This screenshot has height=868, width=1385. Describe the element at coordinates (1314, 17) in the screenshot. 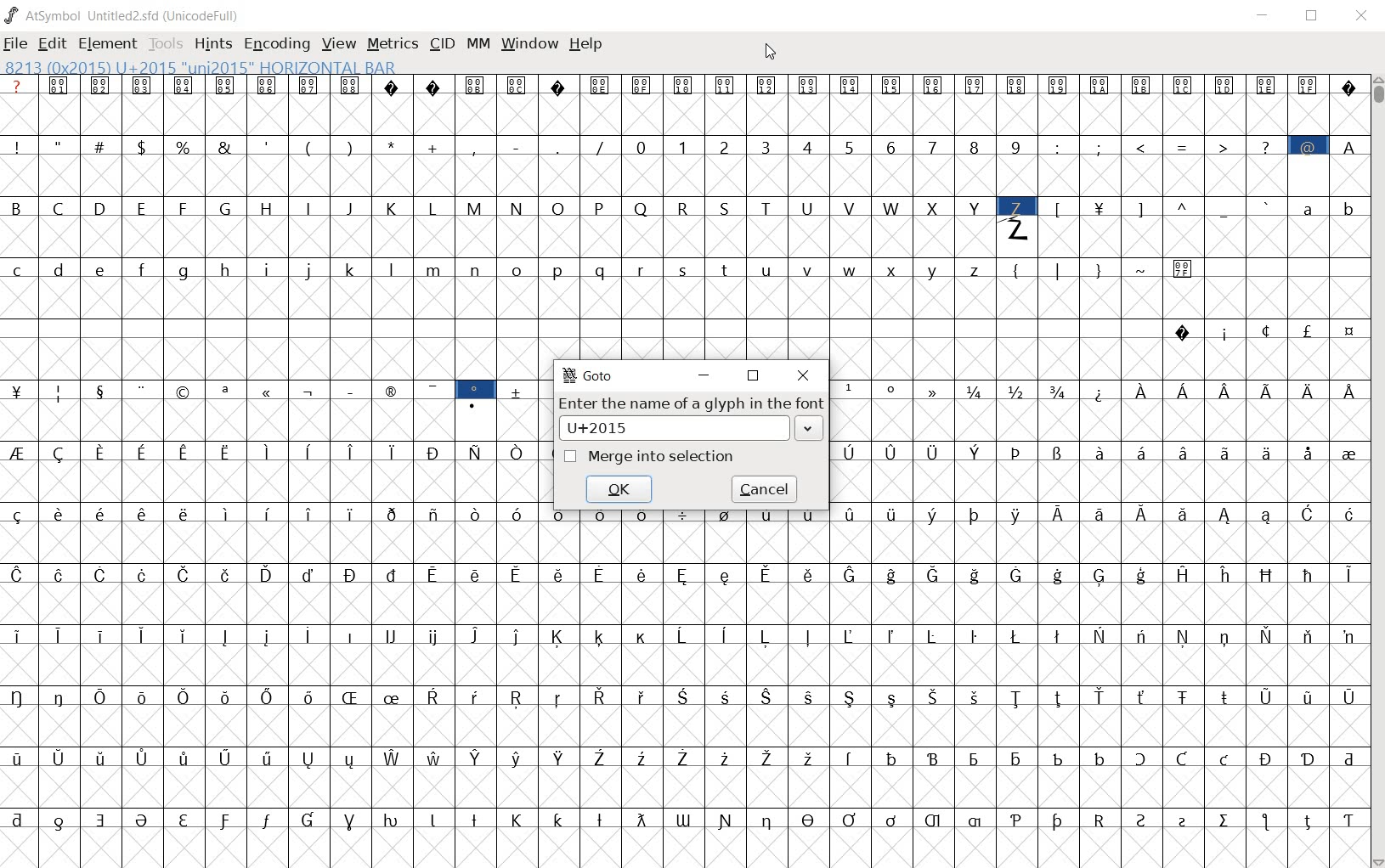

I see `RESTORE DOWN` at that location.